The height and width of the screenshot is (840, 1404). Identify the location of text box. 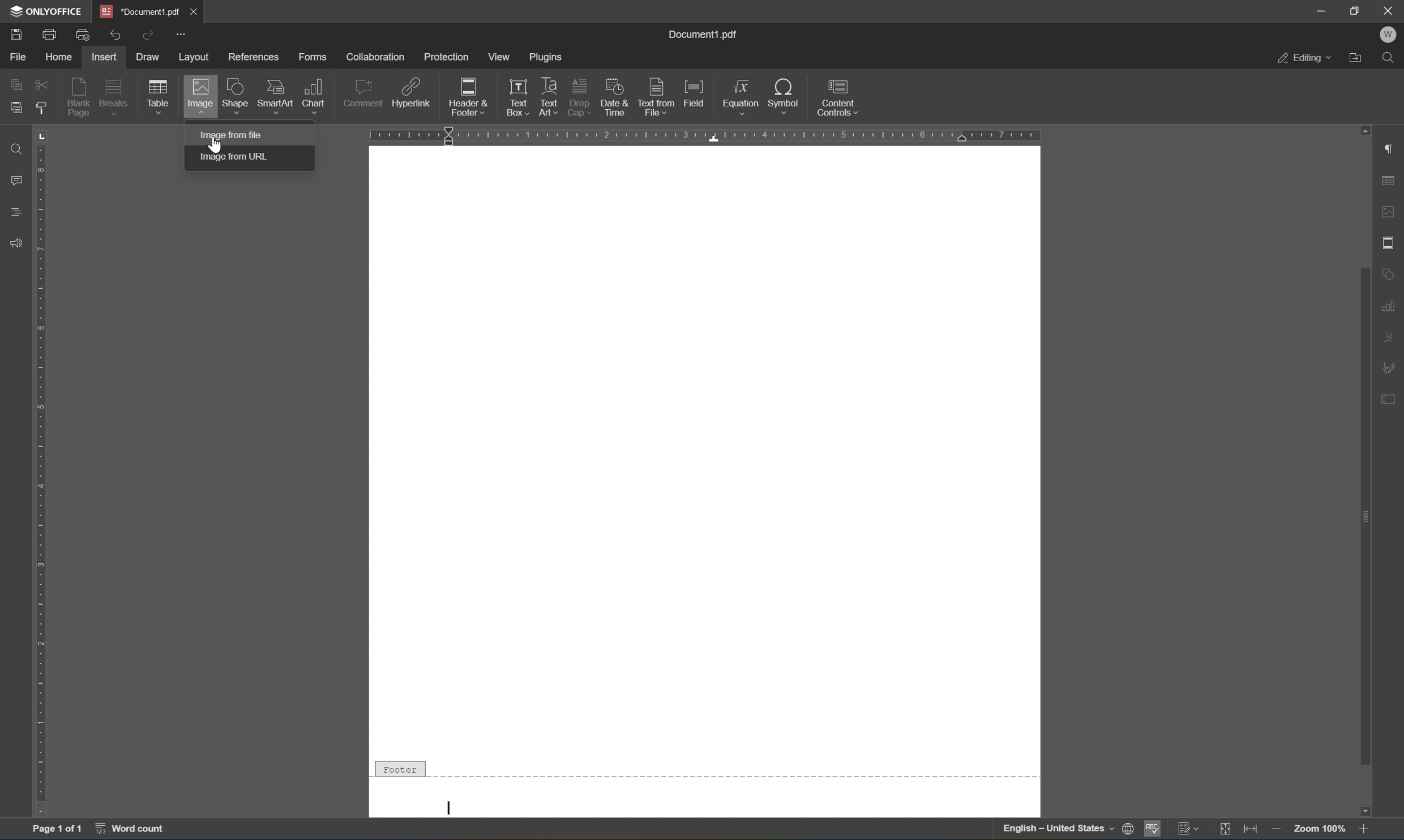
(515, 87).